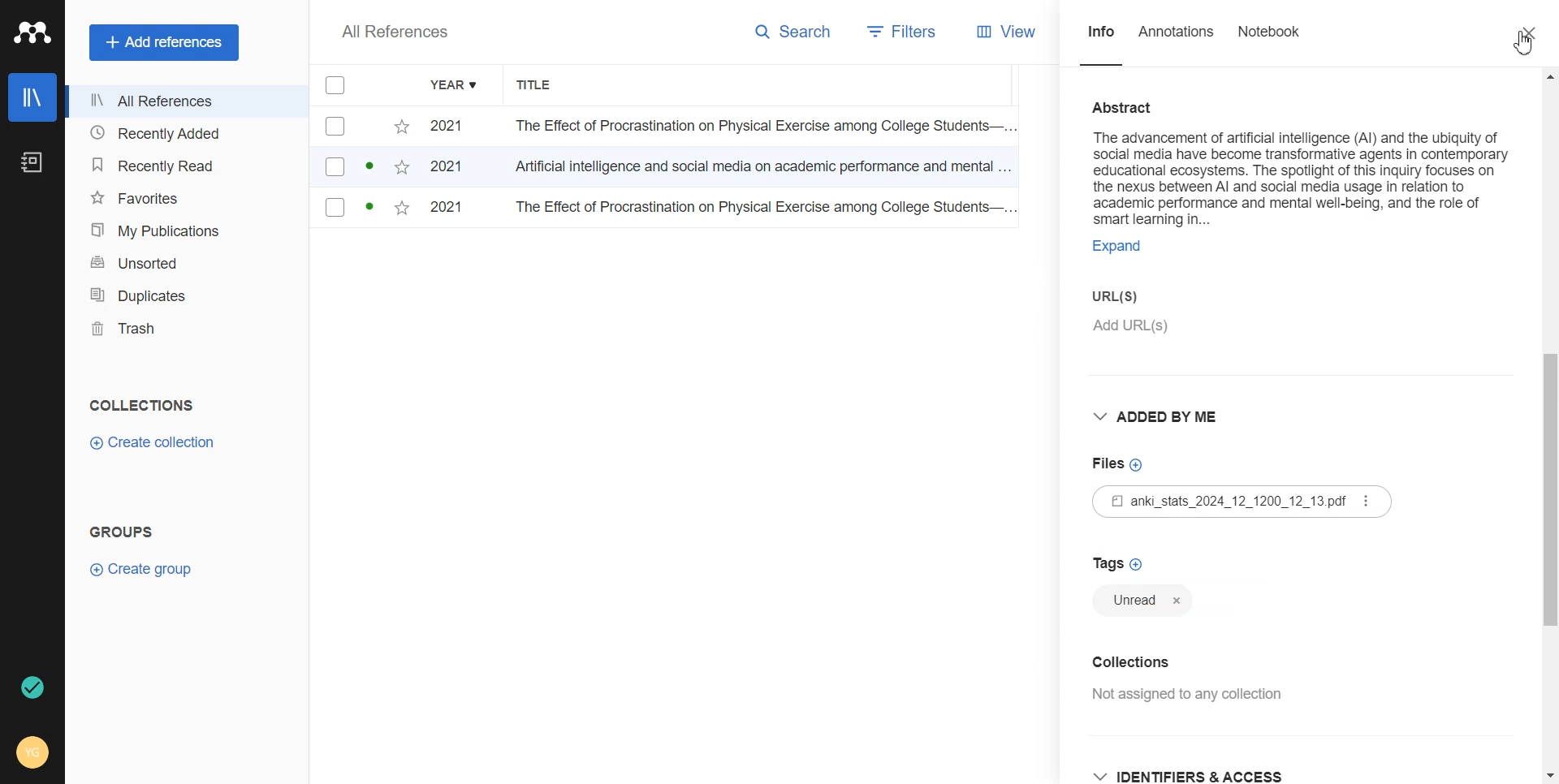  What do you see at coordinates (363, 168) in the screenshot?
I see `checkbox` at bounding box center [363, 168].